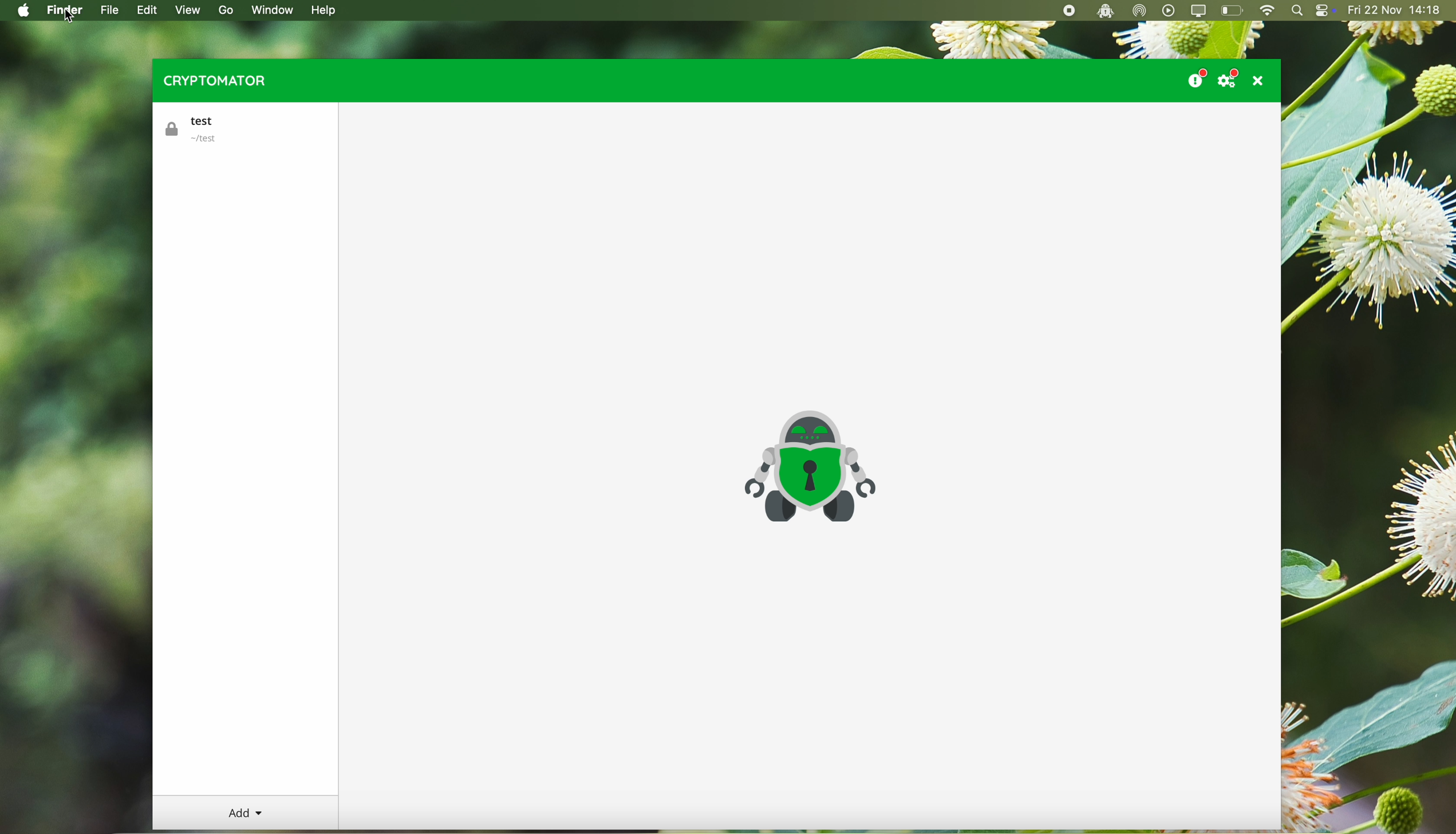 This screenshot has height=834, width=1456. I want to click on stop recording, so click(1067, 11).